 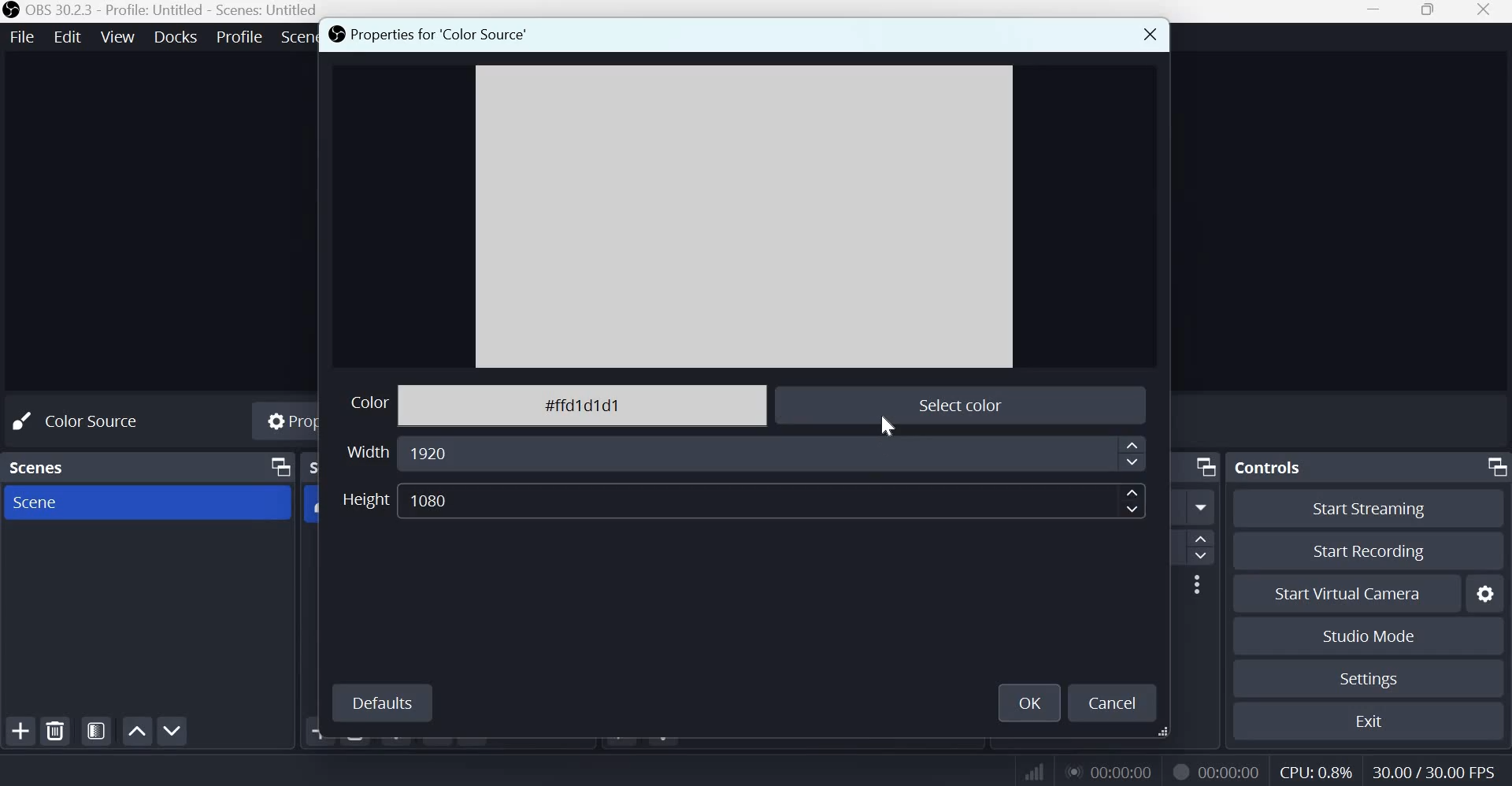 I want to click on Open scene filters, so click(x=96, y=732).